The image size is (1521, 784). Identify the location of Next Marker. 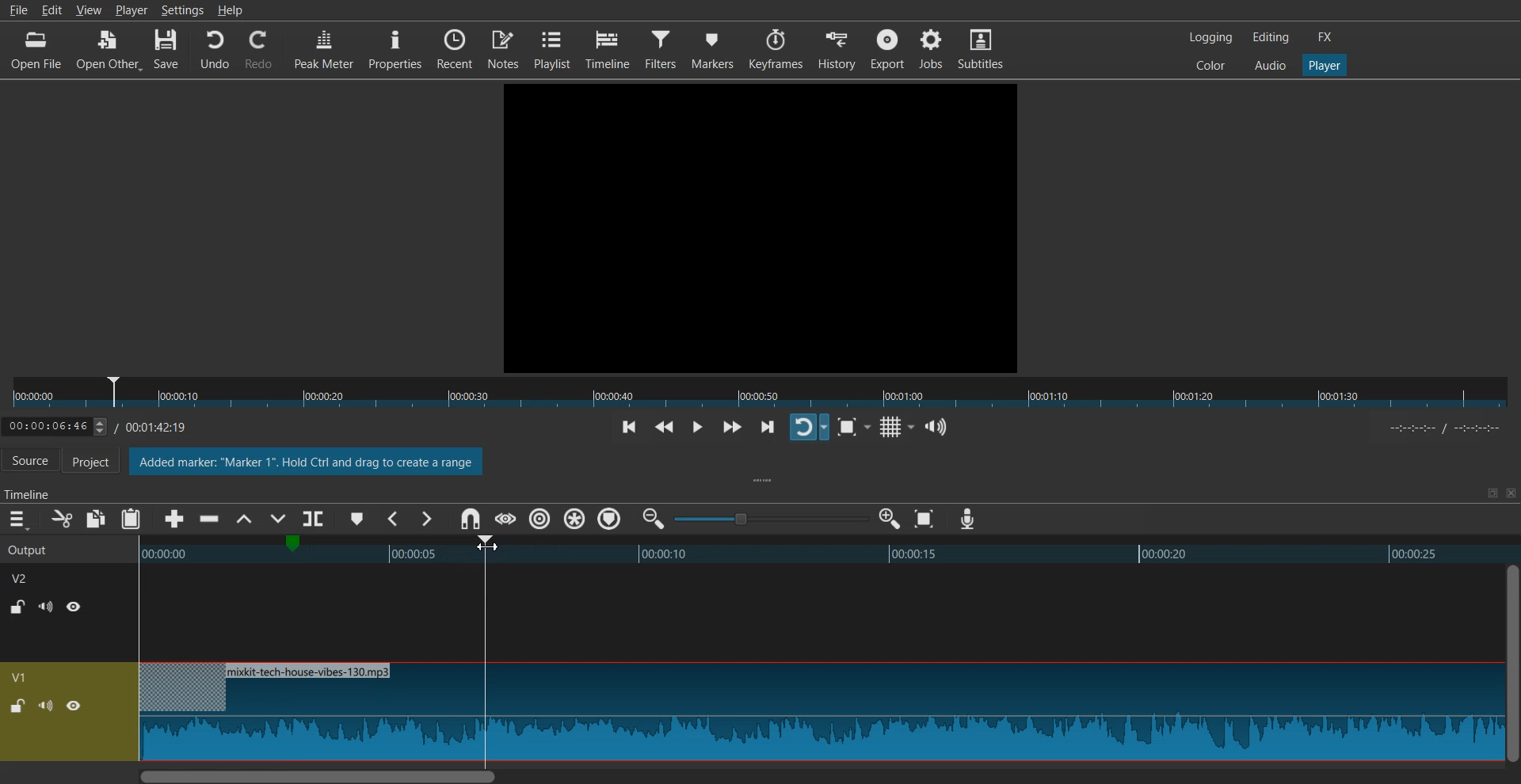
(425, 519).